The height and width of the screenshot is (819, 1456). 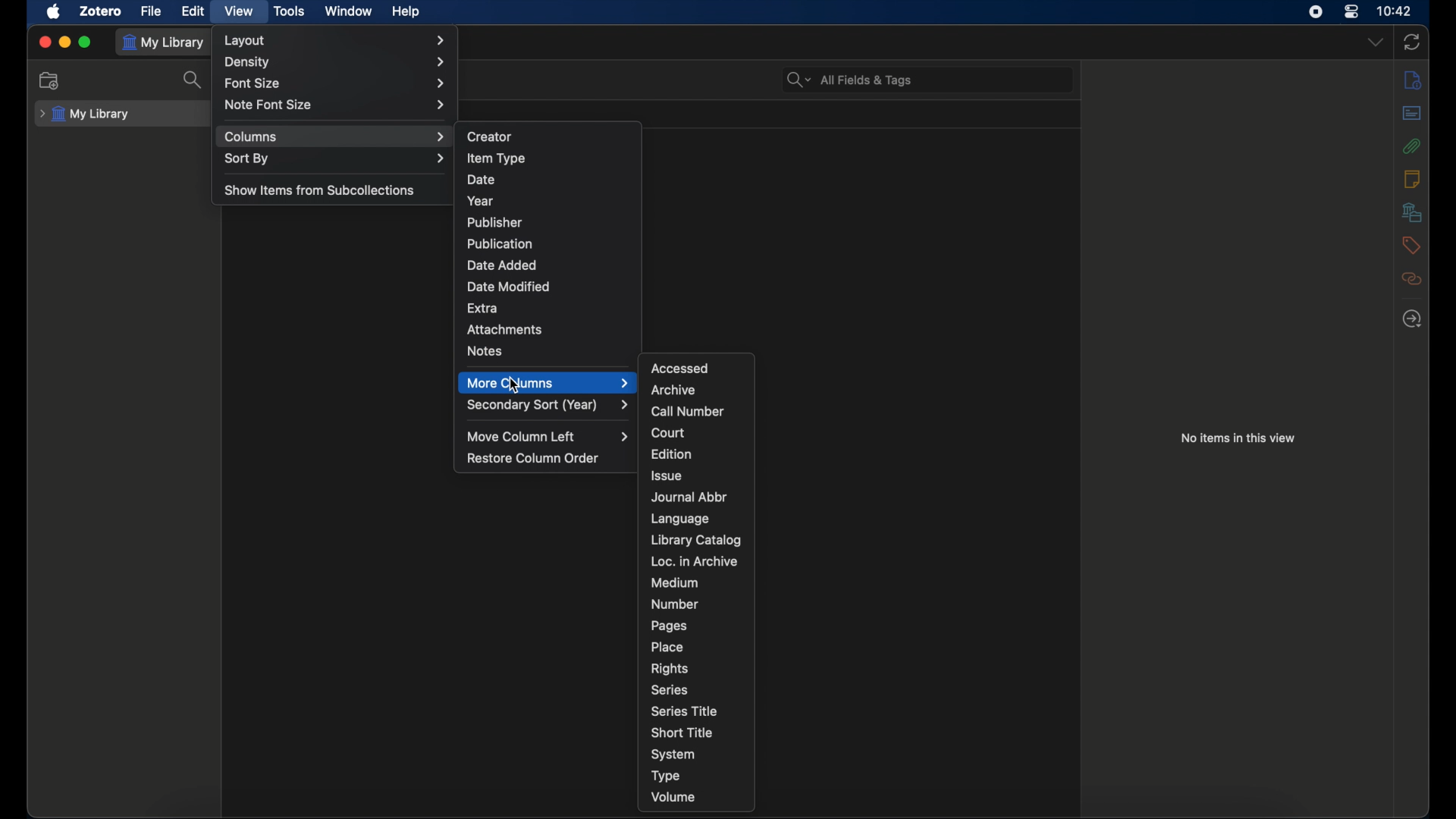 I want to click on minimize, so click(x=64, y=42).